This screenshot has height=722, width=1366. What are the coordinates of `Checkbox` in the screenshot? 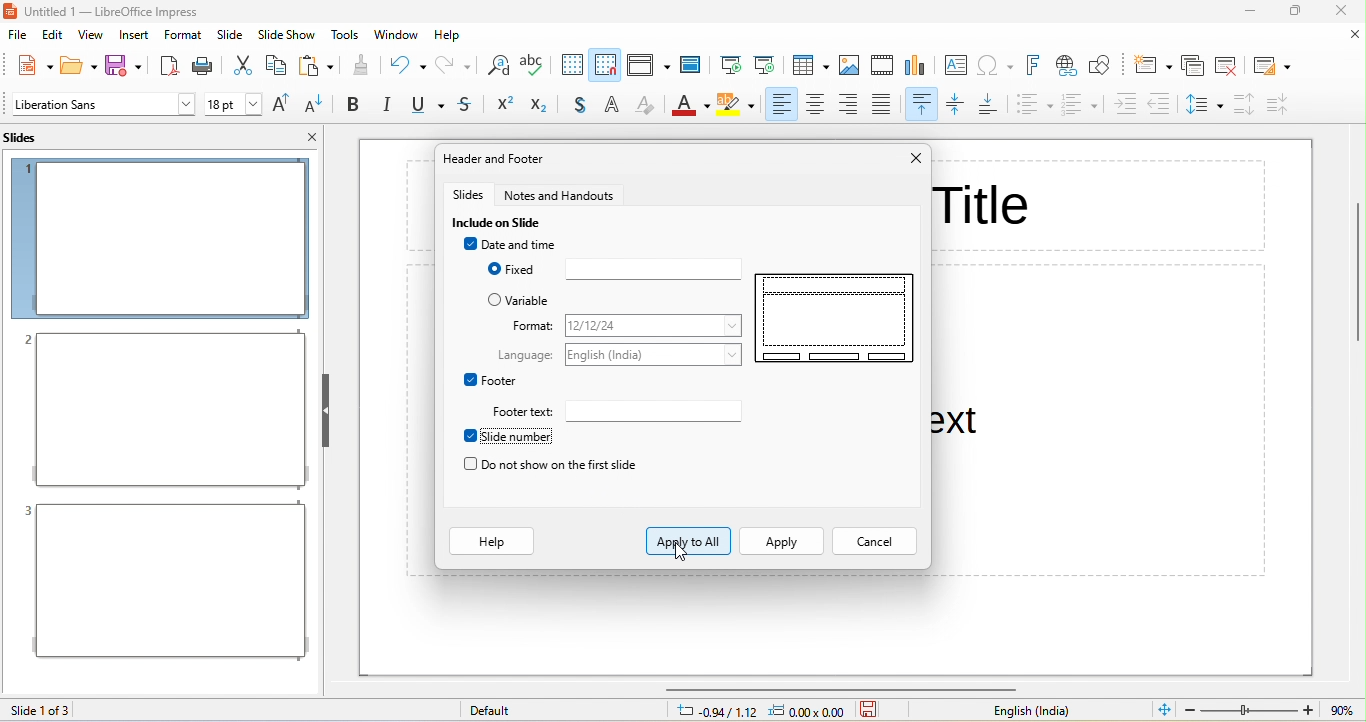 It's located at (491, 269).